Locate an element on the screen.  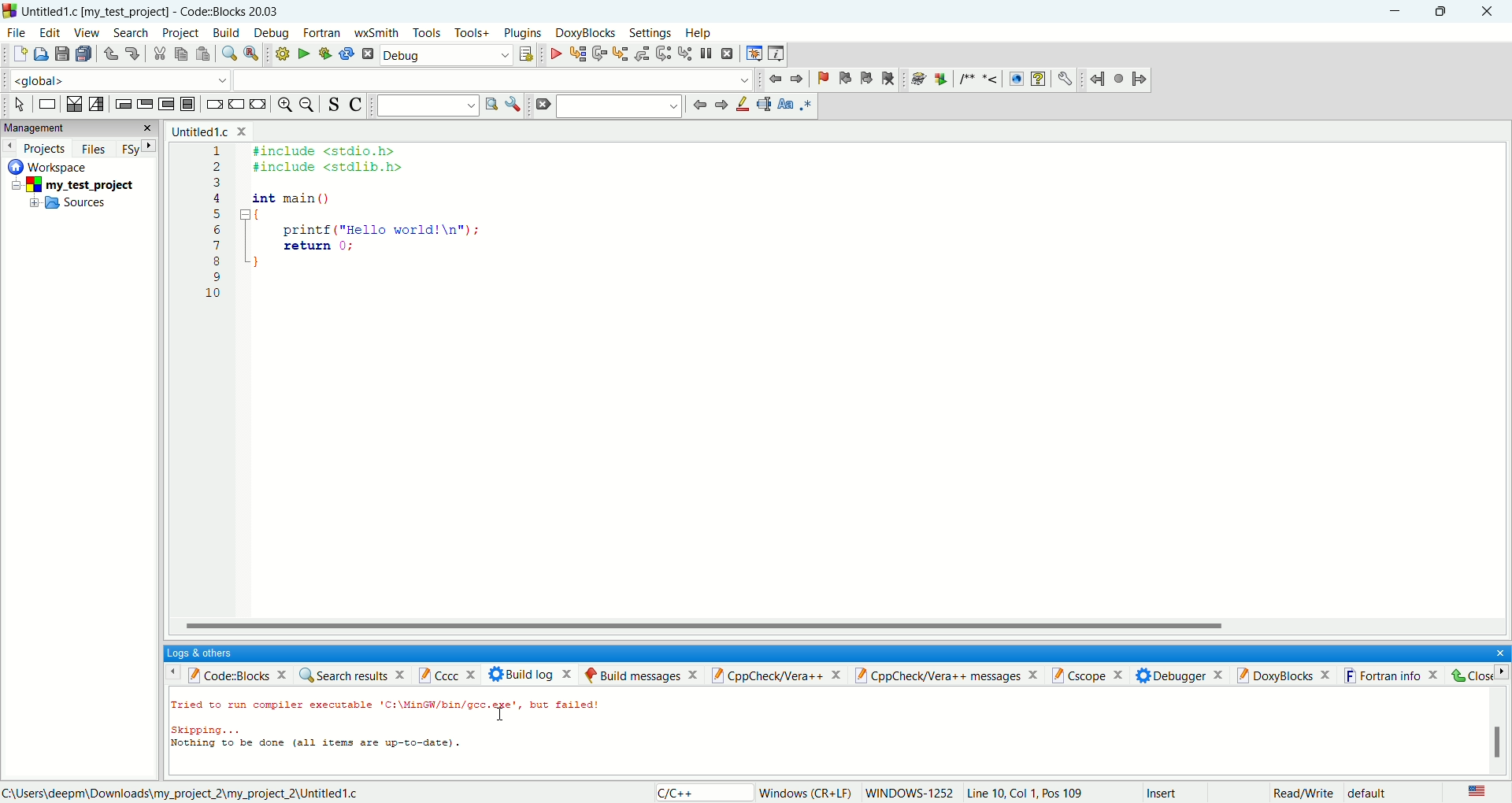
run search is located at coordinates (491, 105).